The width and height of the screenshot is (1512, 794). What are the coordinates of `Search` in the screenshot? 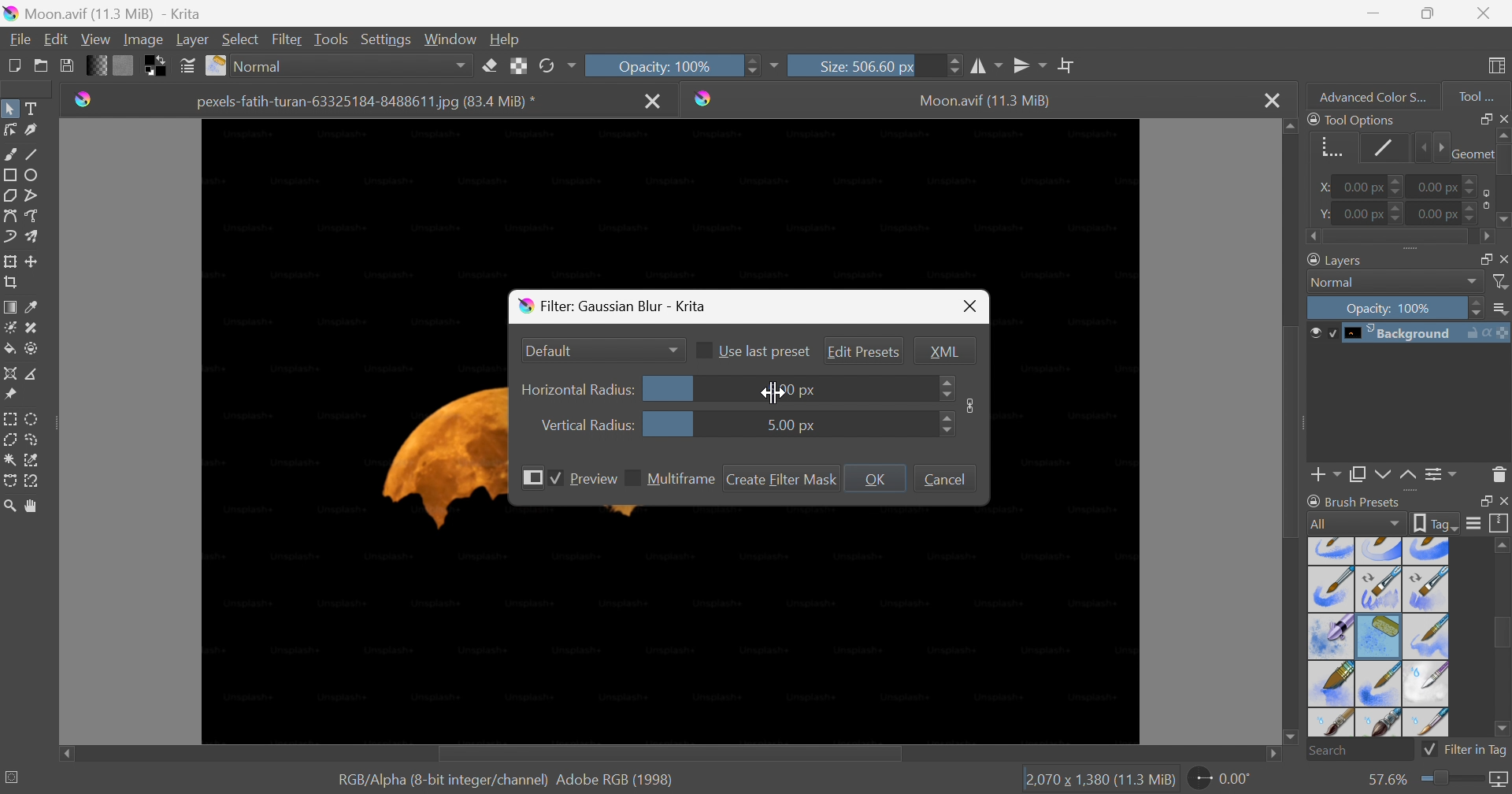 It's located at (1359, 751).